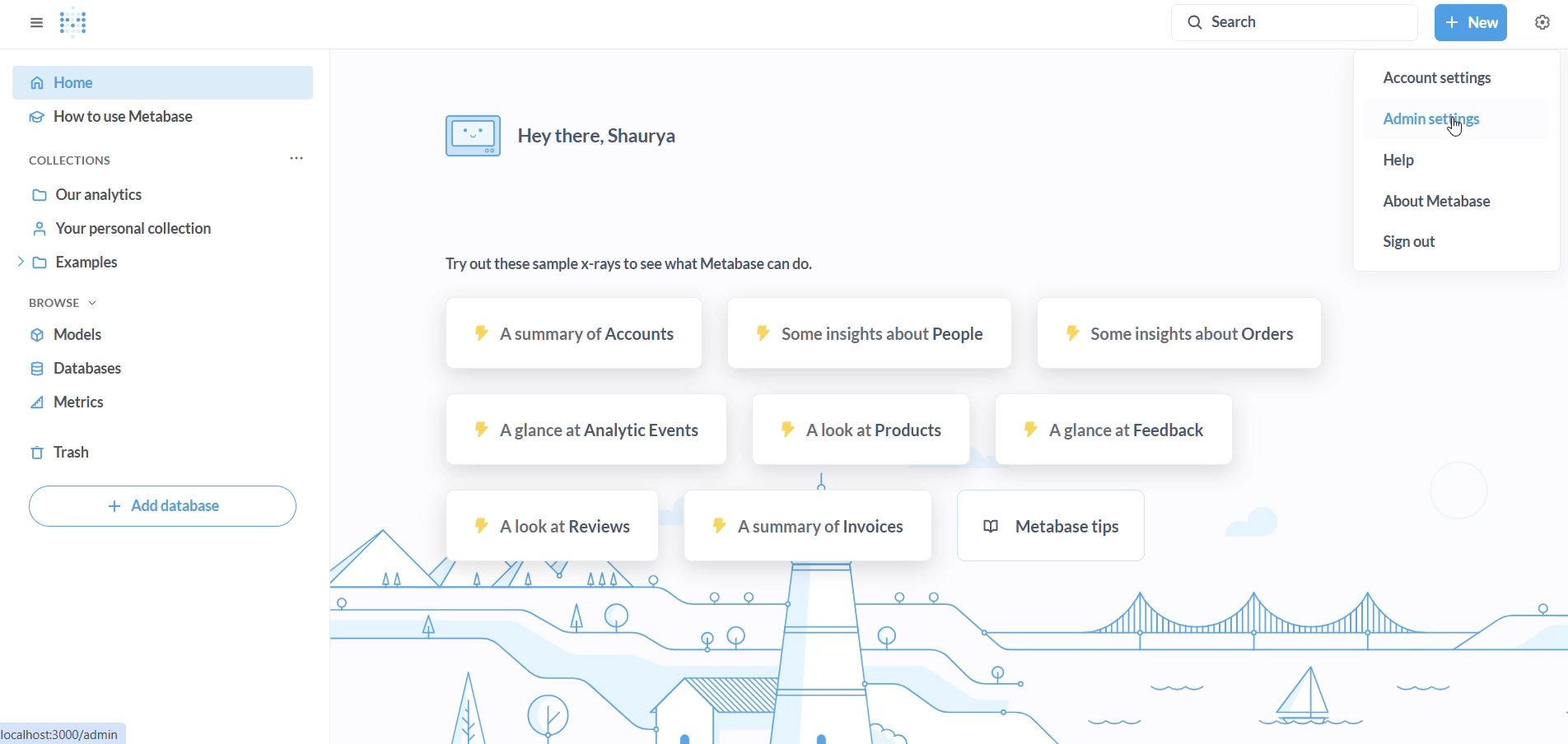 The width and height of the screenshot is (1568, 744). Describe the element at coordinates (68, 332) in the screenshot. I see `@ Models` at that location.